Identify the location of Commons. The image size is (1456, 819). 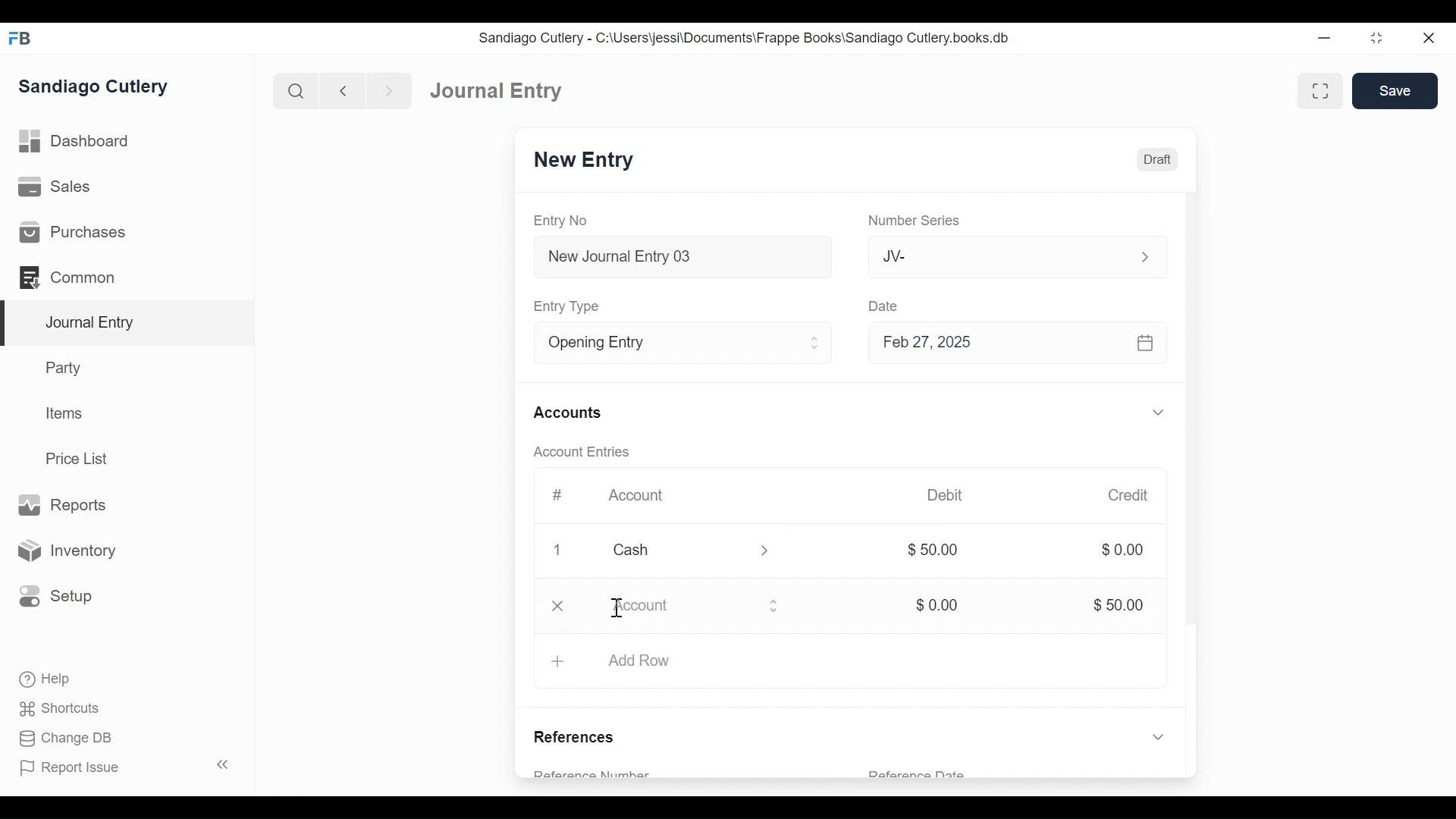
(66, 277).